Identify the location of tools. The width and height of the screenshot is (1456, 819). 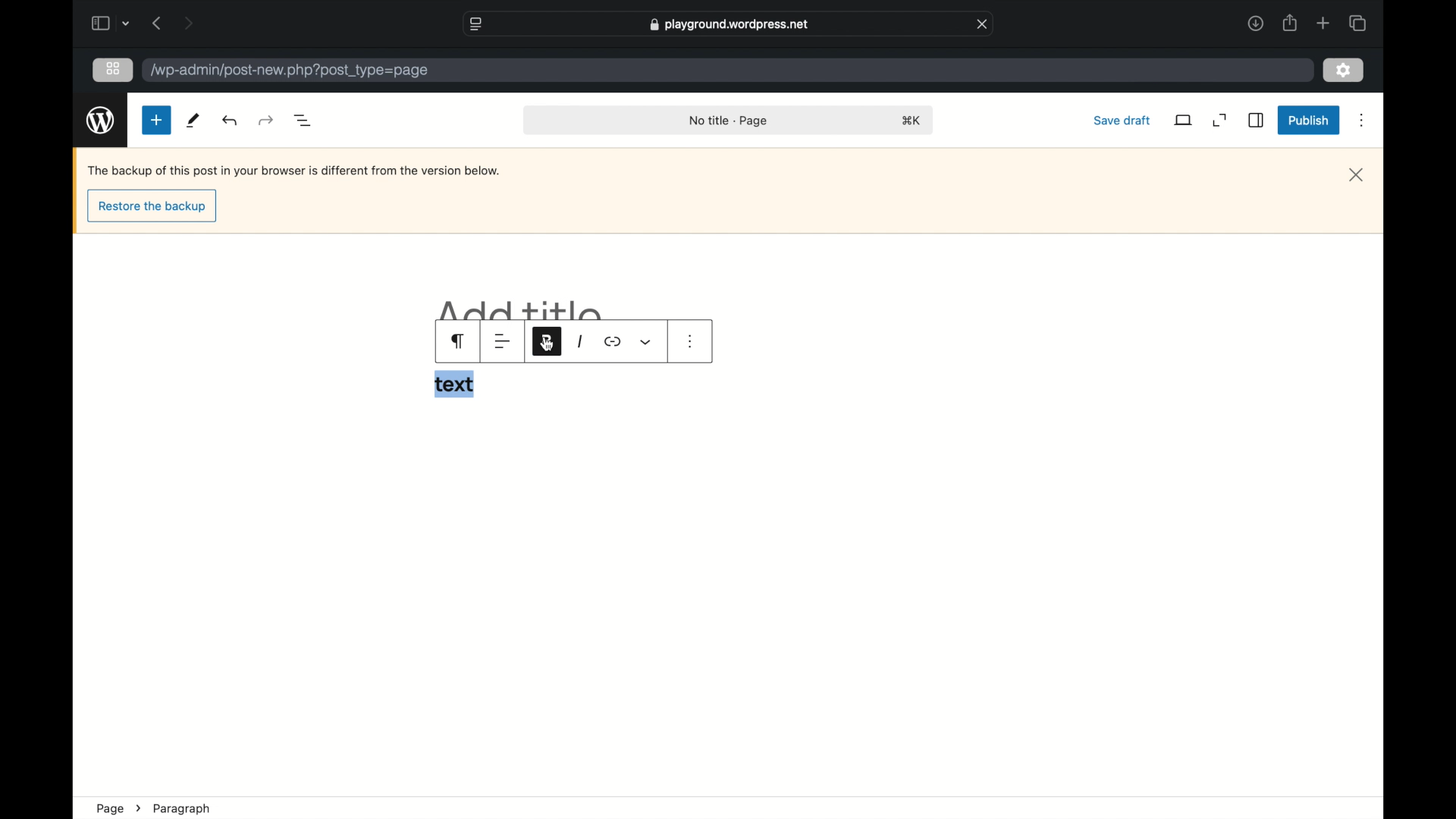
(192, 121).